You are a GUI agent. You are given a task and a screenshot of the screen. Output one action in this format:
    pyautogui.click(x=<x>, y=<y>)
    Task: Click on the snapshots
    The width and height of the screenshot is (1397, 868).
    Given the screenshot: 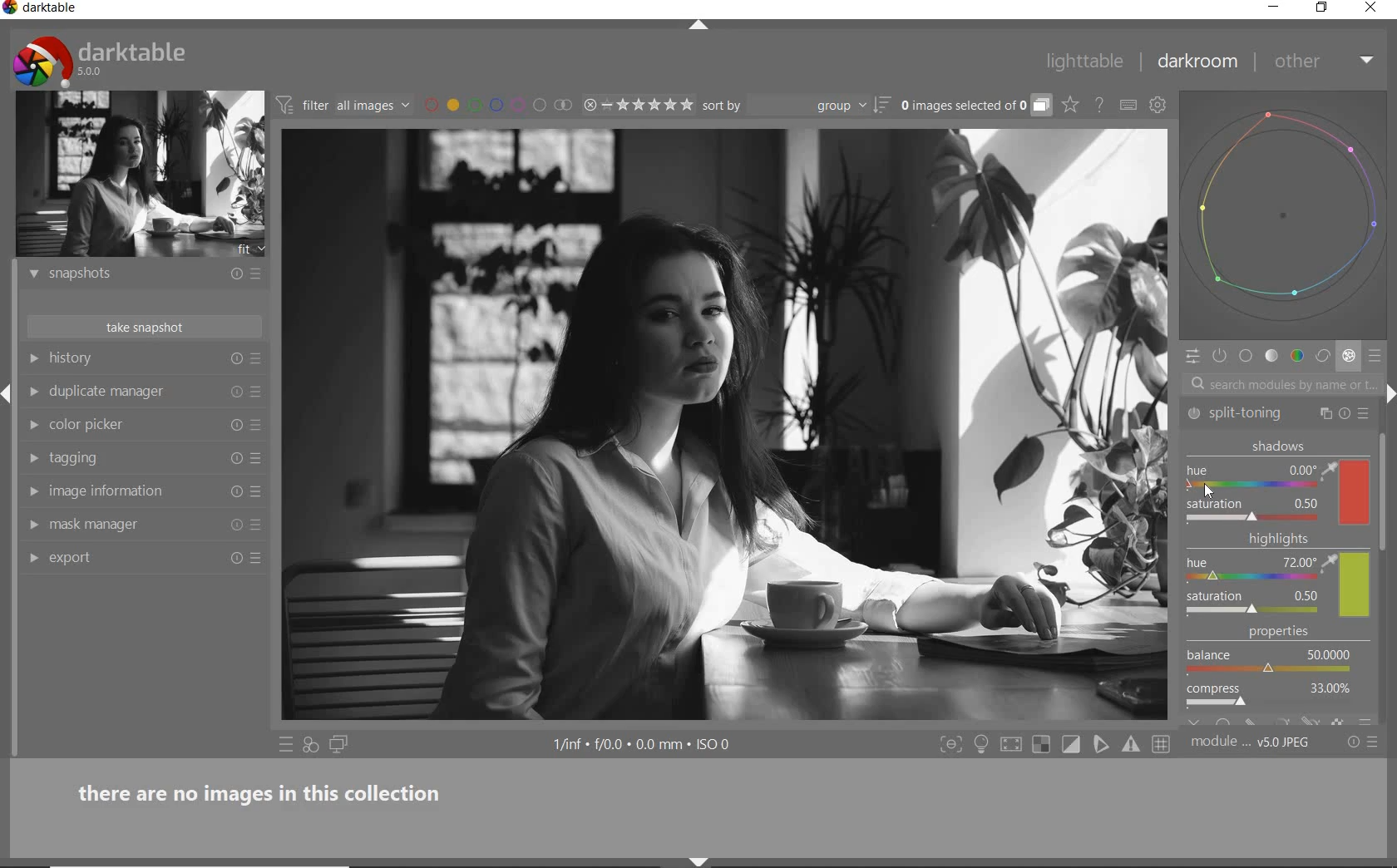 What is the action you would take?
    pyautogui.click(x=131, y=277)
    